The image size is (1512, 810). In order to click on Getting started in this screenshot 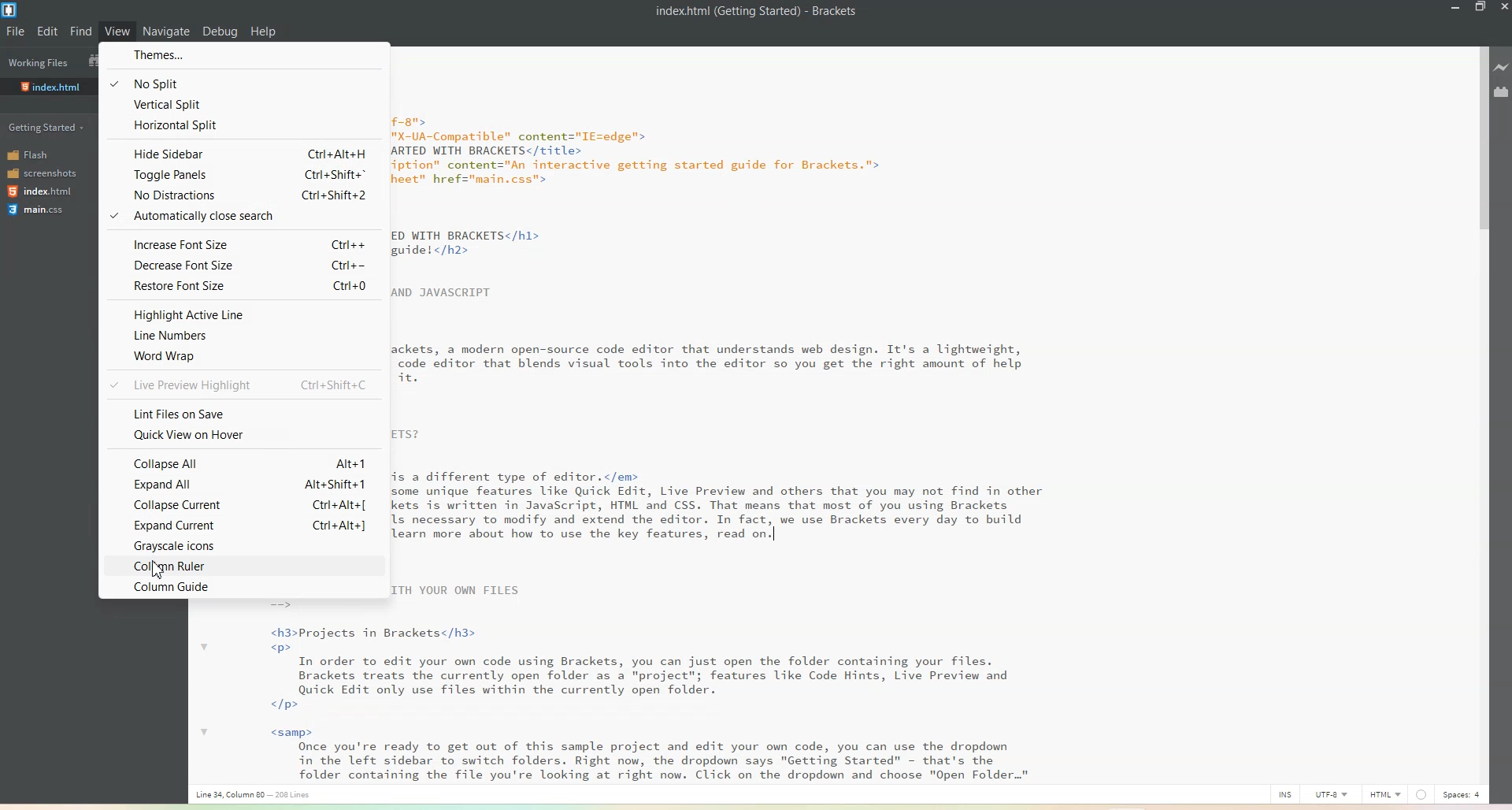, I will do `click(46, 127)`.